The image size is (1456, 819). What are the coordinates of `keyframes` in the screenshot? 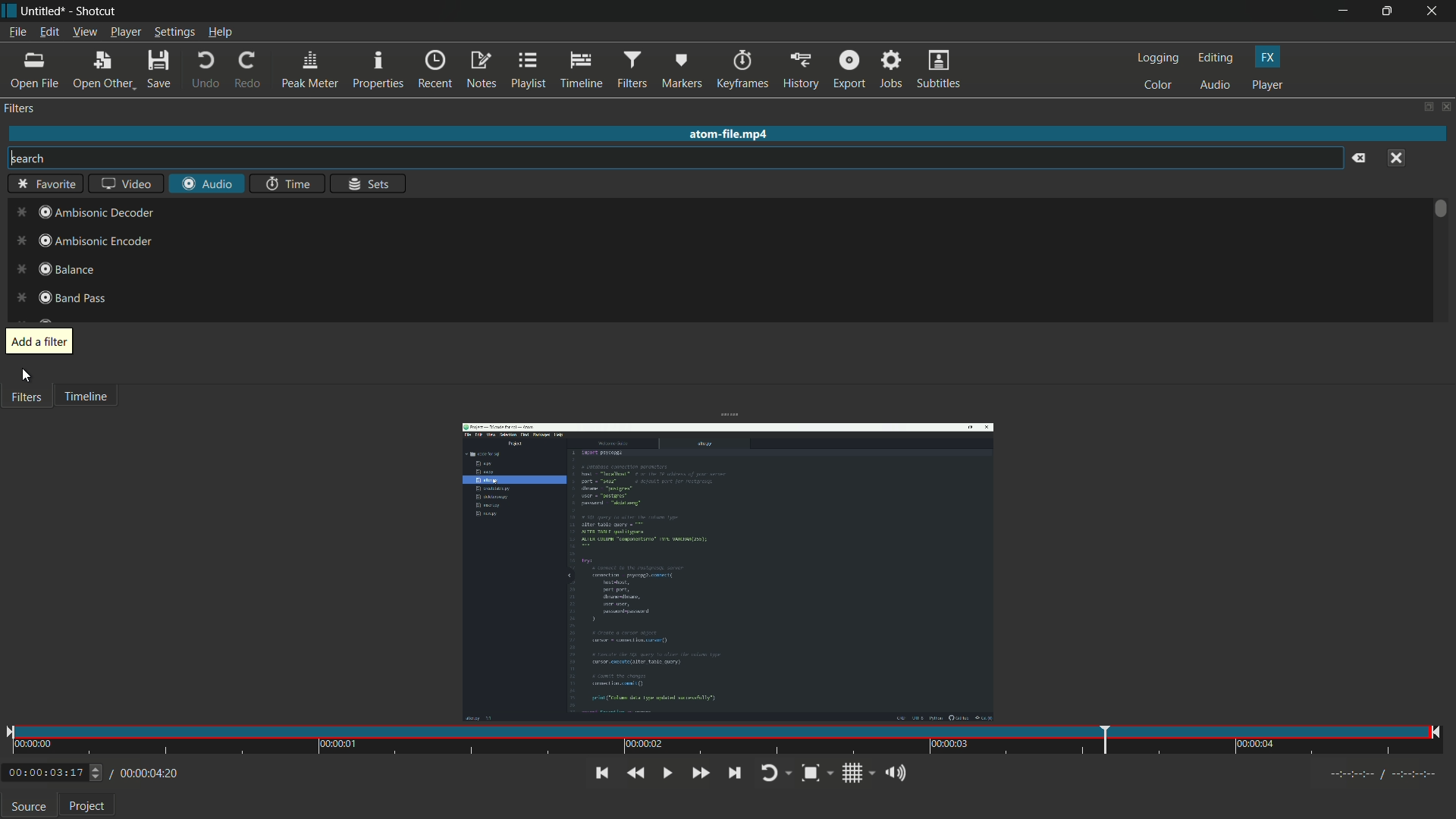 It's located at (743, 69).